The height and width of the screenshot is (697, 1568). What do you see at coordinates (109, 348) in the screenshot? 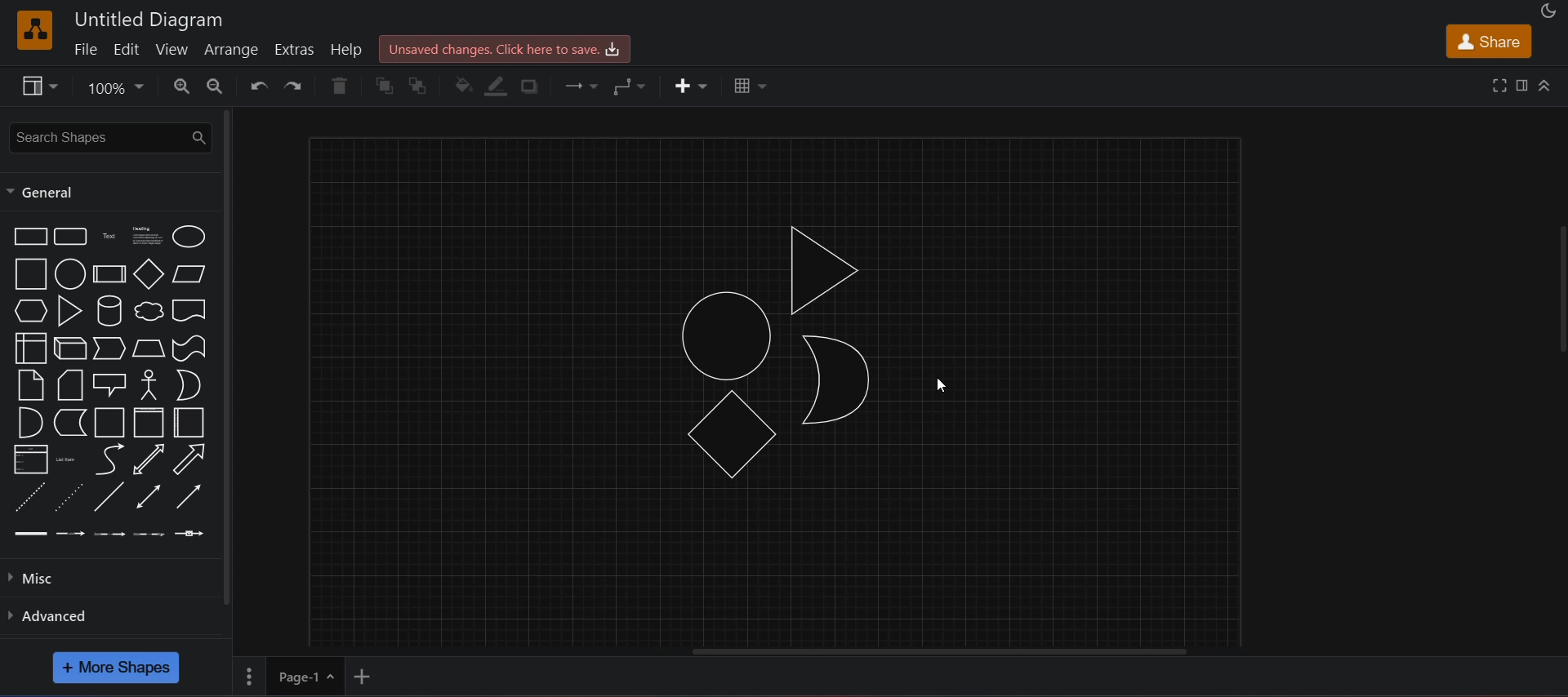
I see `step` at bounding box center [109, 348].